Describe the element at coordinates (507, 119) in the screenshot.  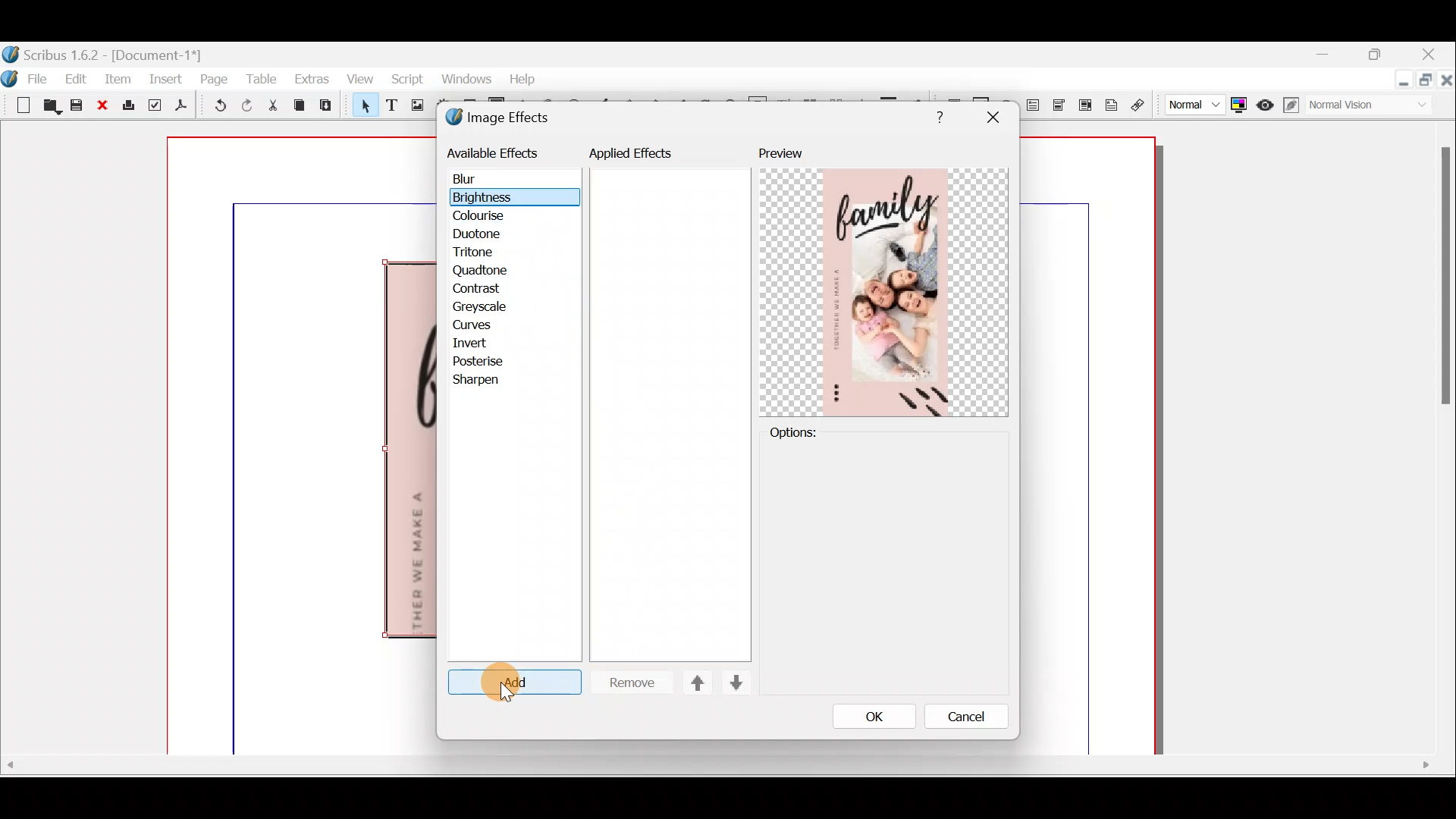
I see `Image effects` at that location.